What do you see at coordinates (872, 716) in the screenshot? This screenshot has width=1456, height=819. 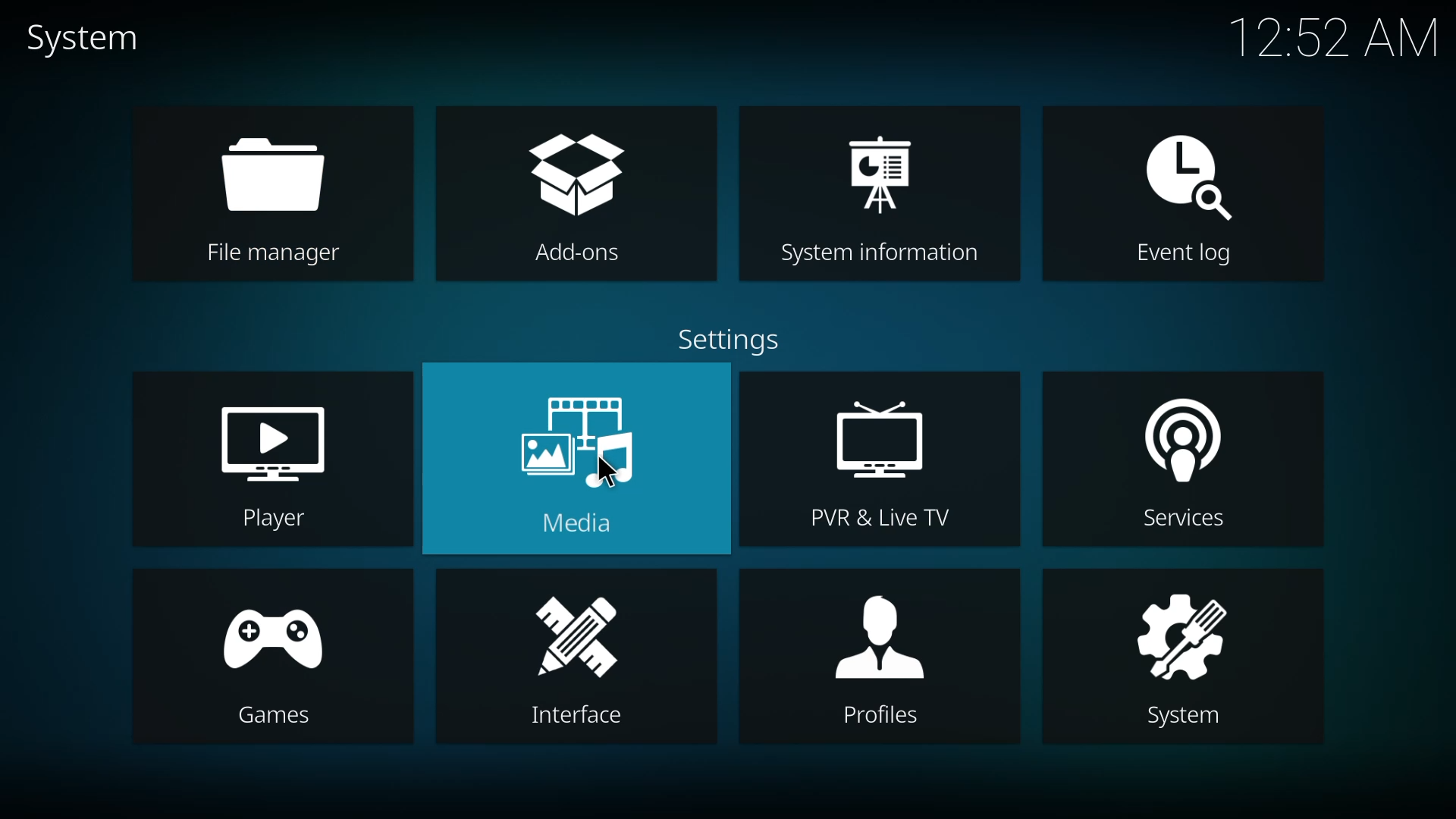 I see `Profiles` at bounding box center [872, 716].